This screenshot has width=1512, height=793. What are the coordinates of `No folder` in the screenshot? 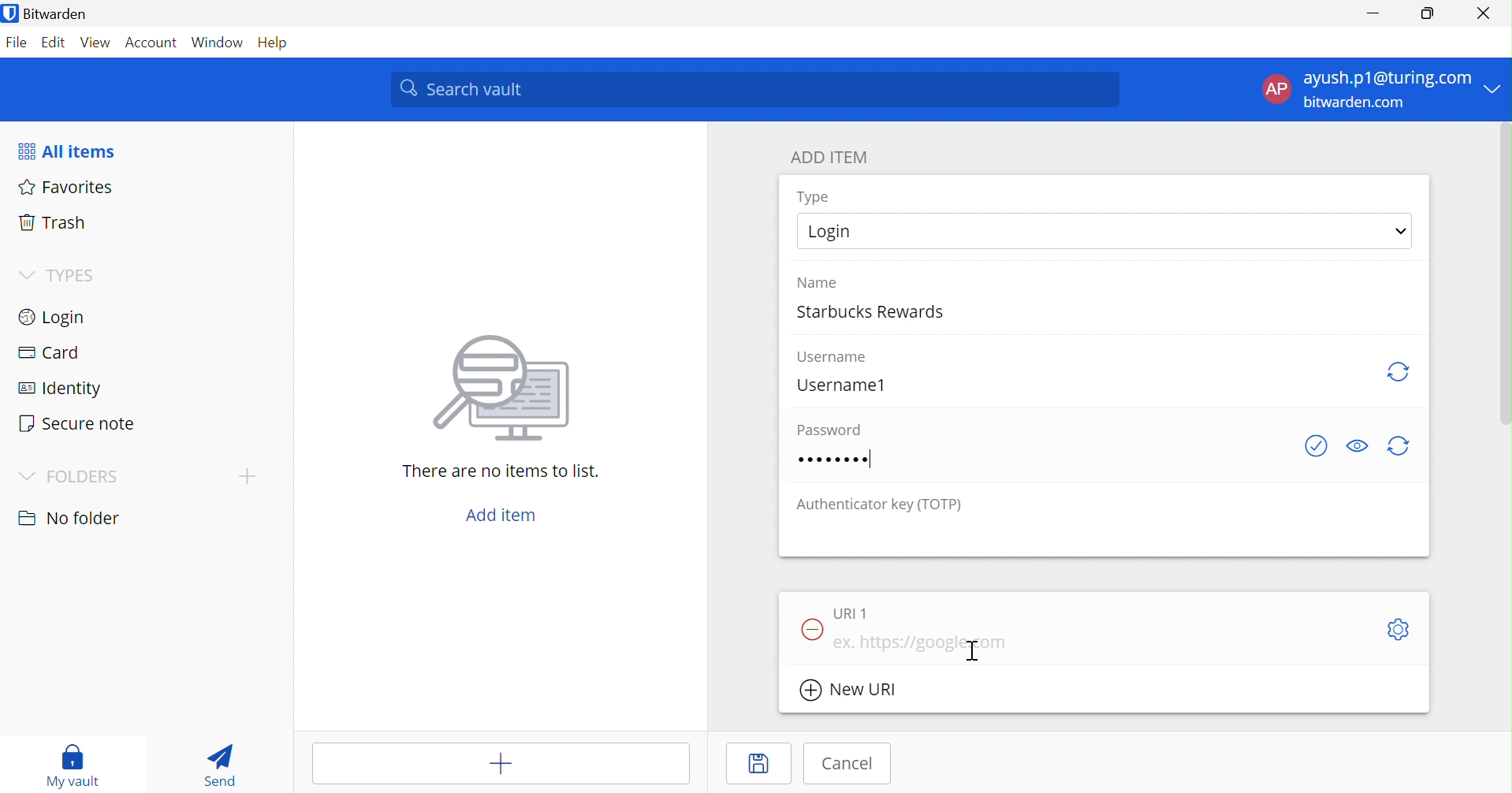 It's located at (70, 520).